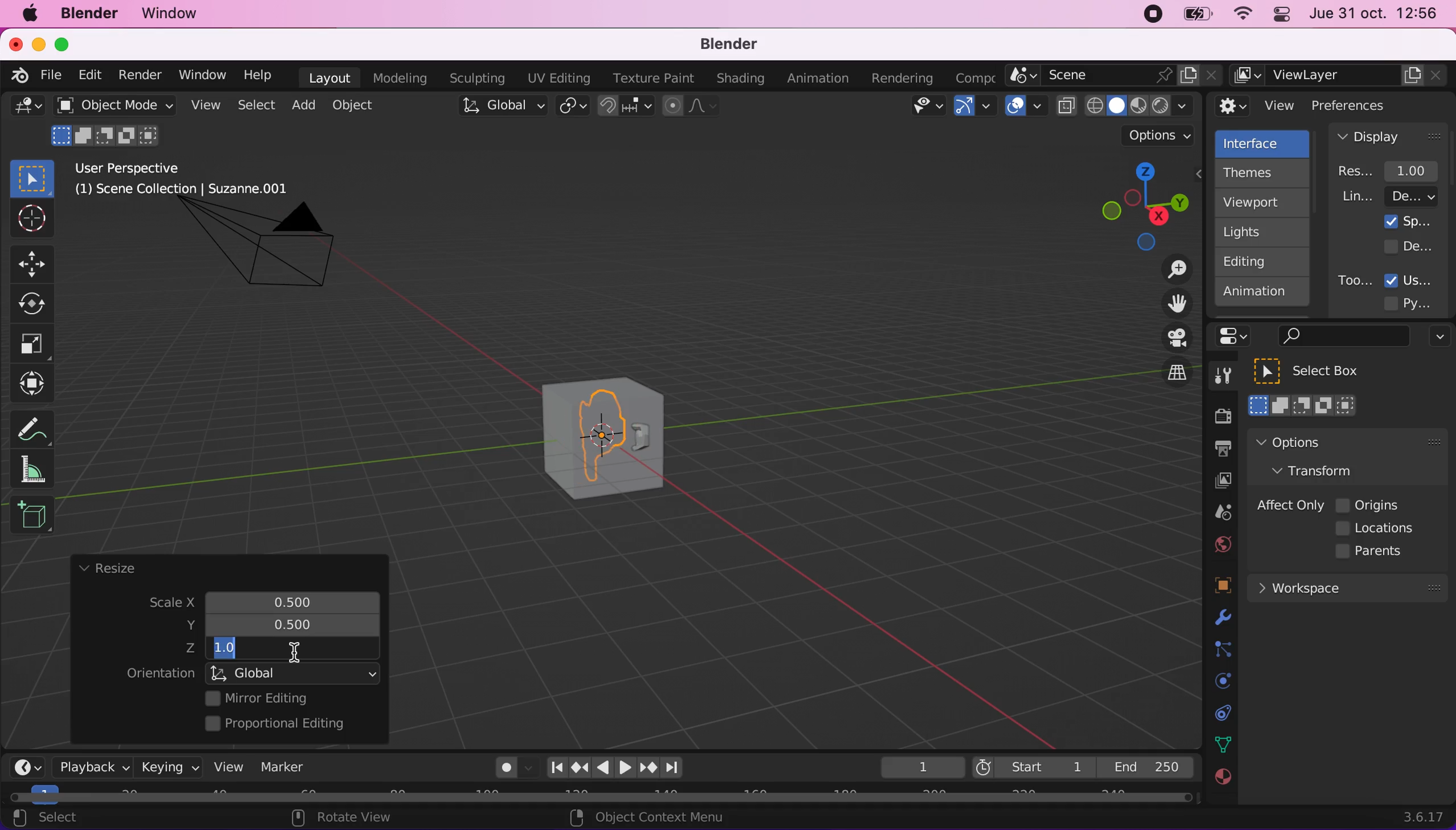  Describe the element at coordinates (627, 106) in the screenshot. I see `snap` at that location.